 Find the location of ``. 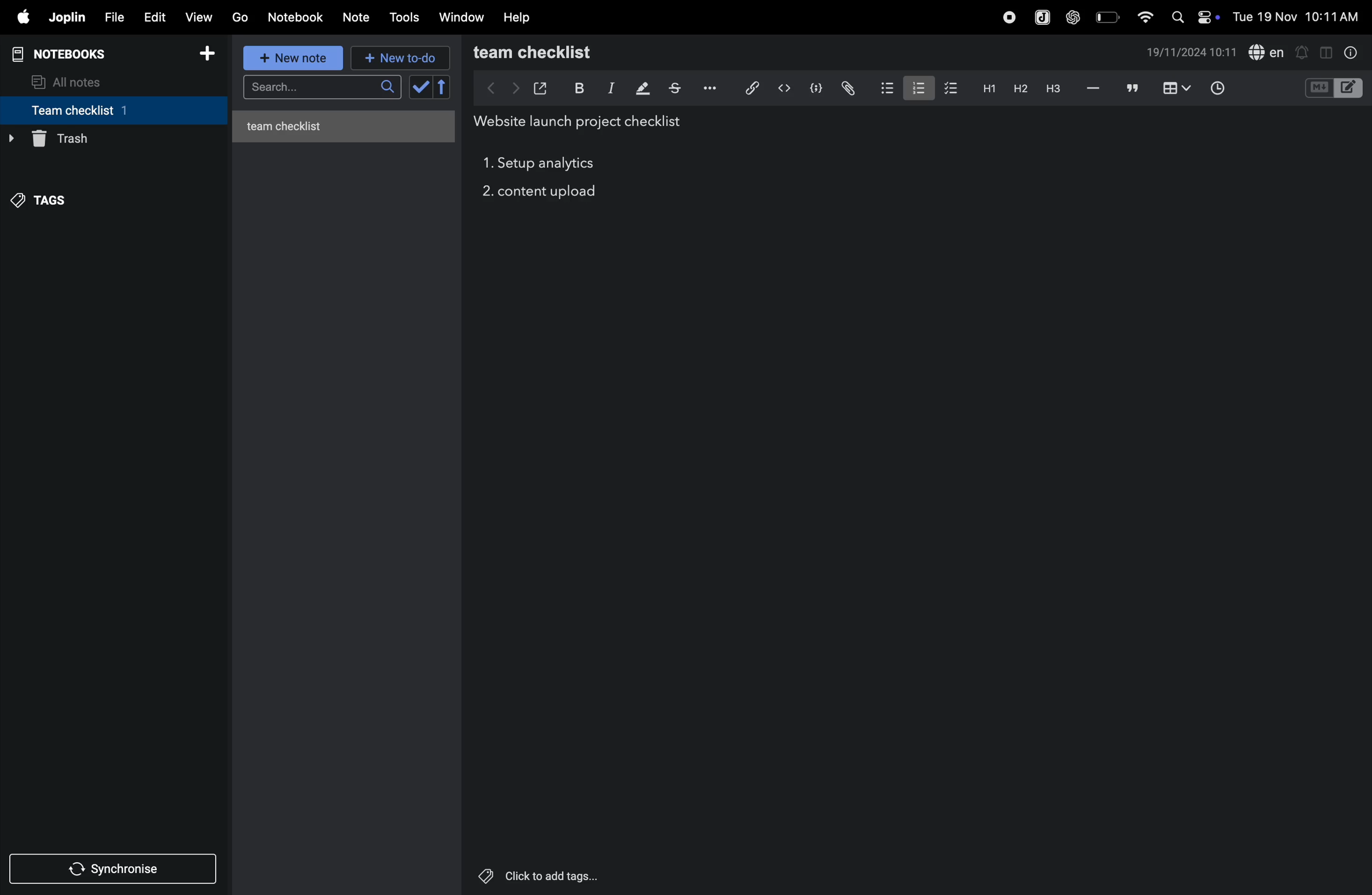

 is located at coordinates (553, 876).